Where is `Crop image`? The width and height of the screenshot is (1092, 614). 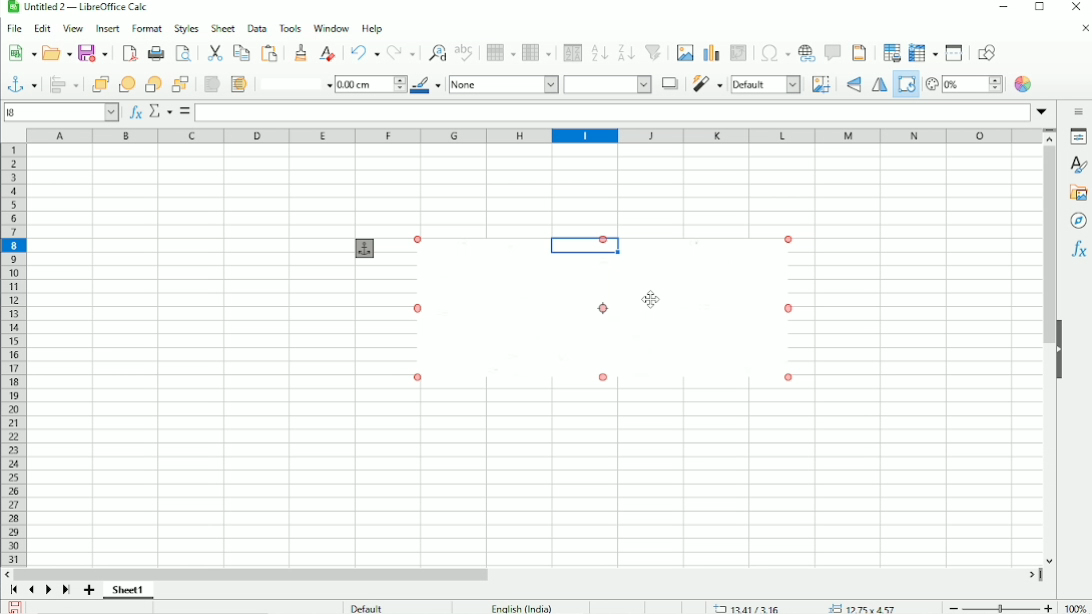
Crop image is located at coordinates (822, 84).